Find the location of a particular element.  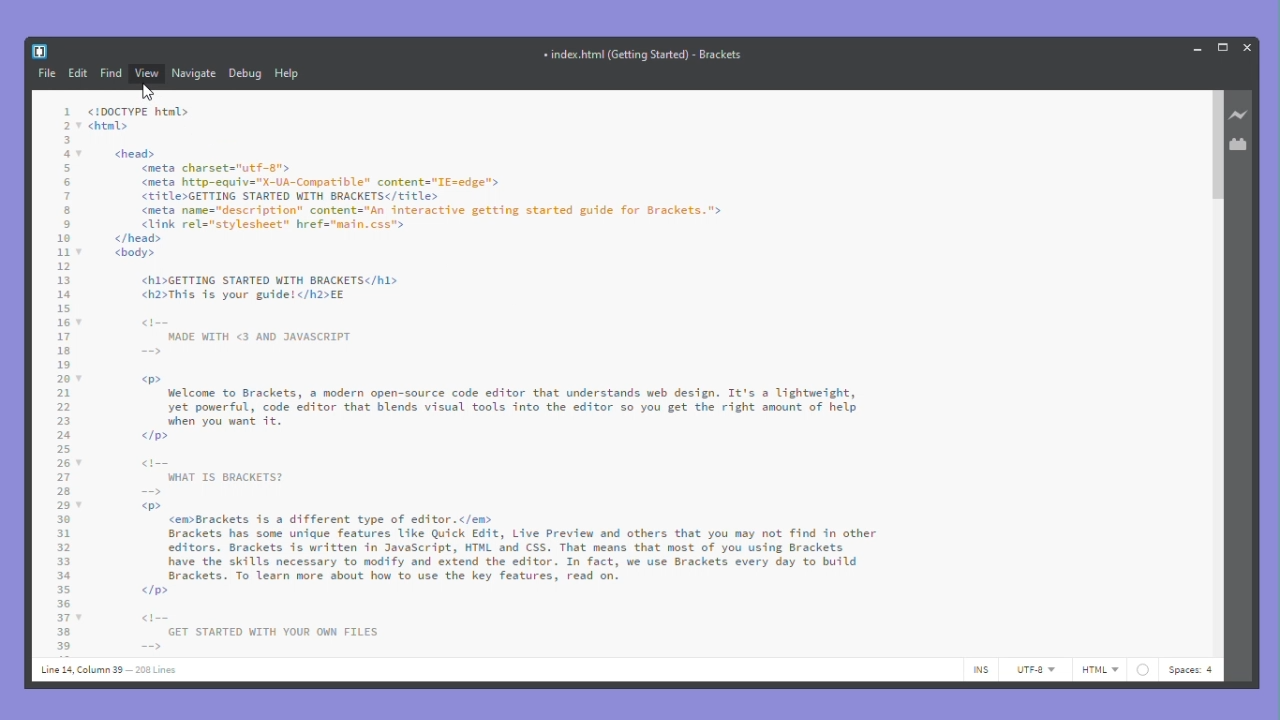

cursor is located at coordinates (148, 92).